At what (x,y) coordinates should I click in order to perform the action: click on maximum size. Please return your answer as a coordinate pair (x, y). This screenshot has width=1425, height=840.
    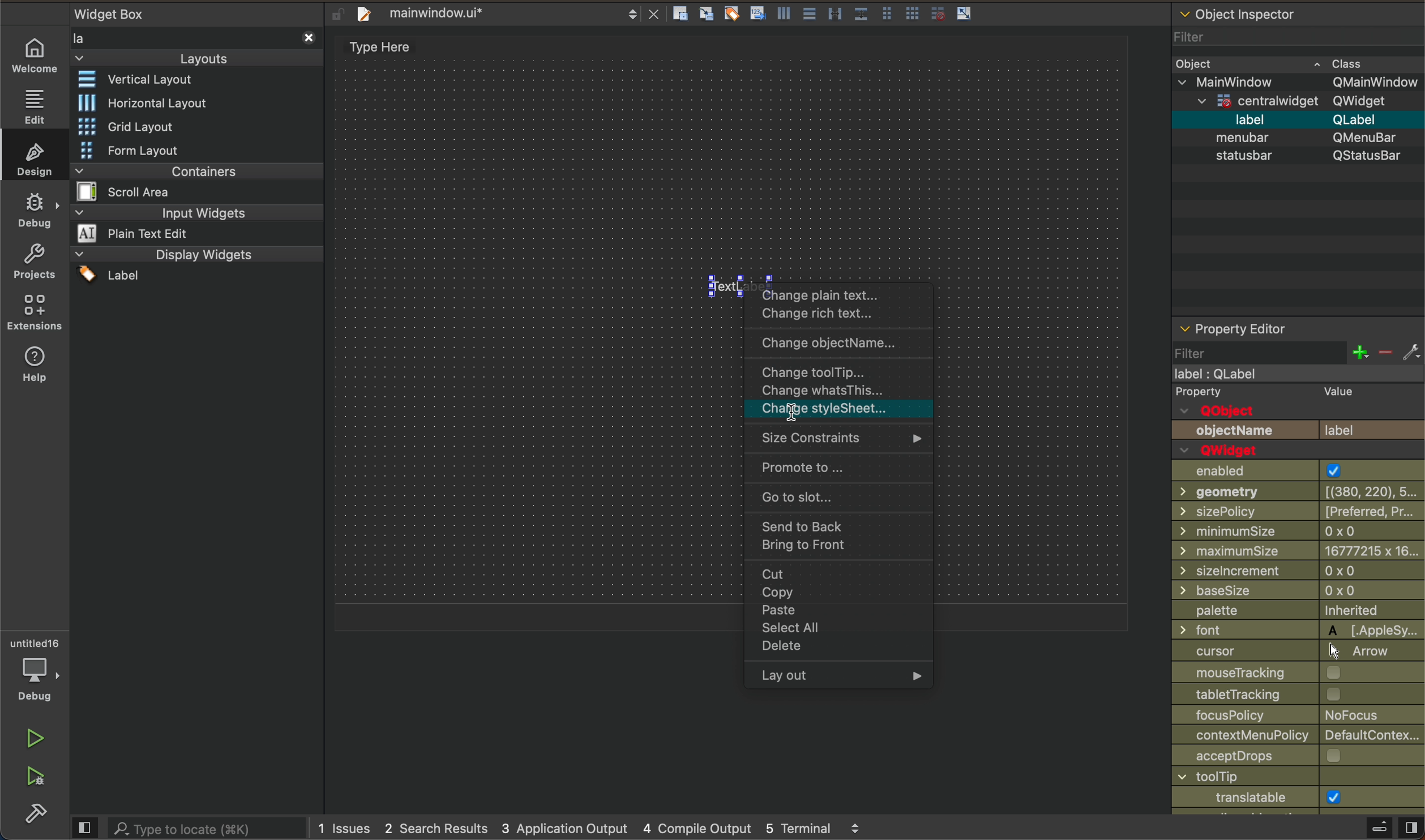
    Looking at the image, I should click on (1297, 552).